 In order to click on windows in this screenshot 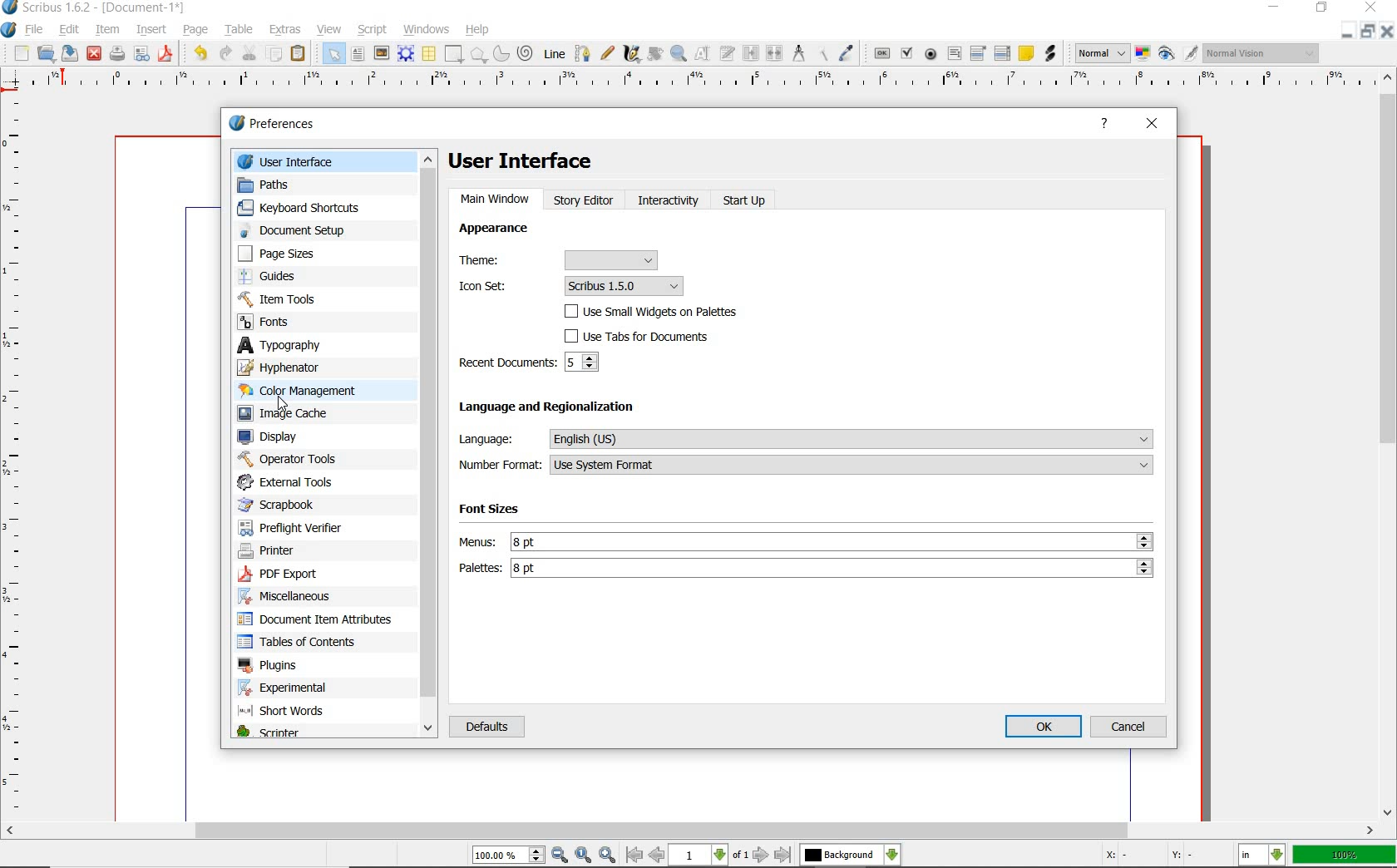, I will do `click(427, 28)`.